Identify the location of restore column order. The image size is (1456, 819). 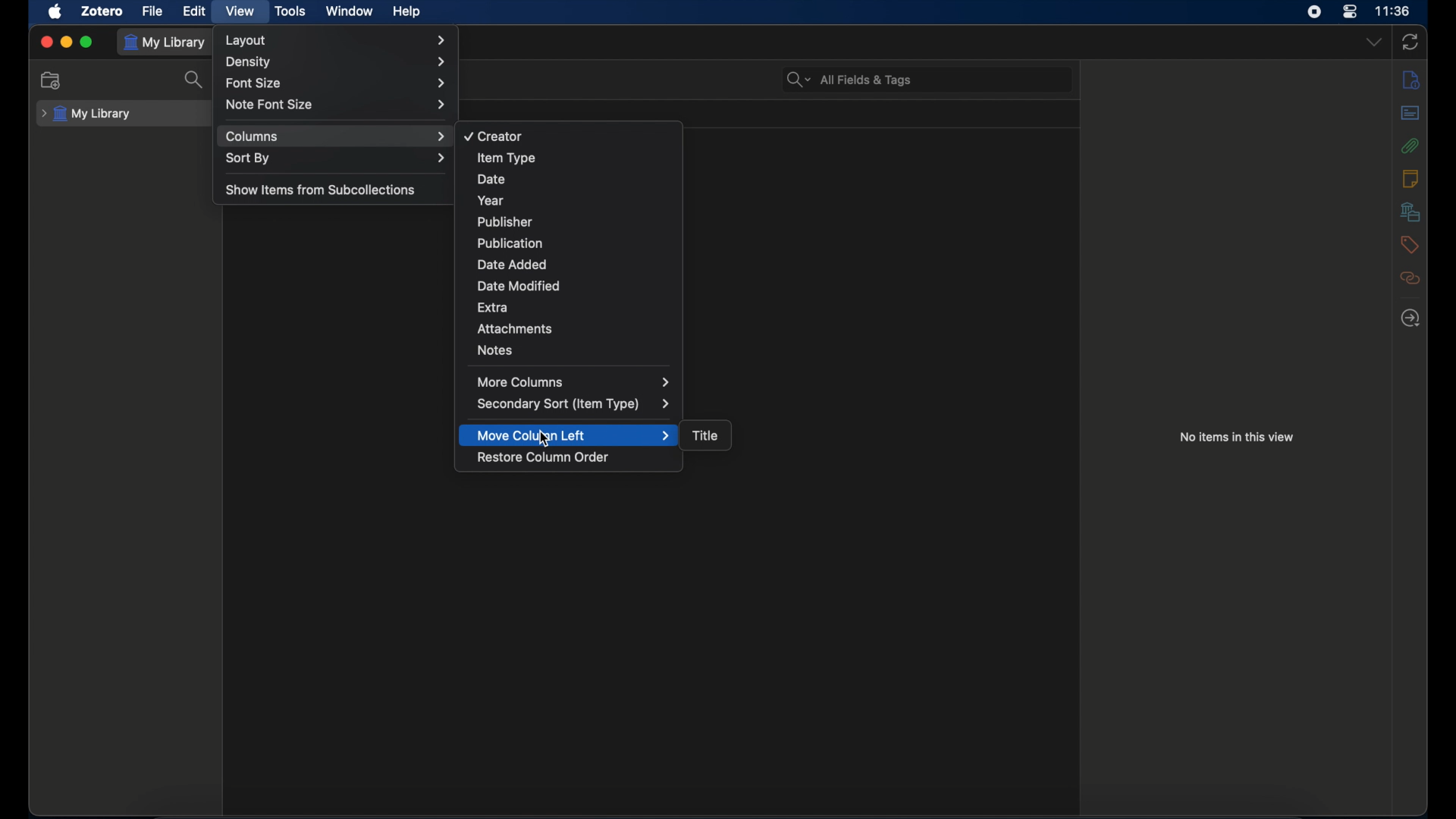
(543, 457).